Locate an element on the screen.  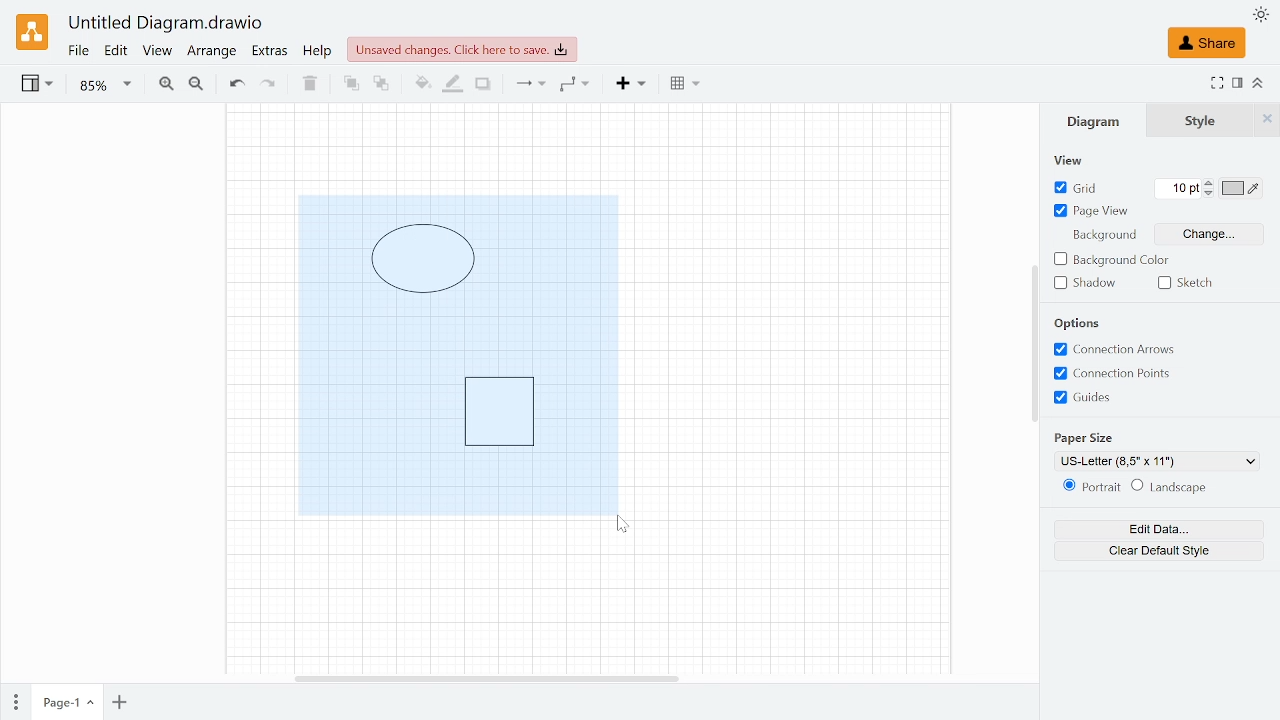
Page view is located at coordinates (1090, 212).